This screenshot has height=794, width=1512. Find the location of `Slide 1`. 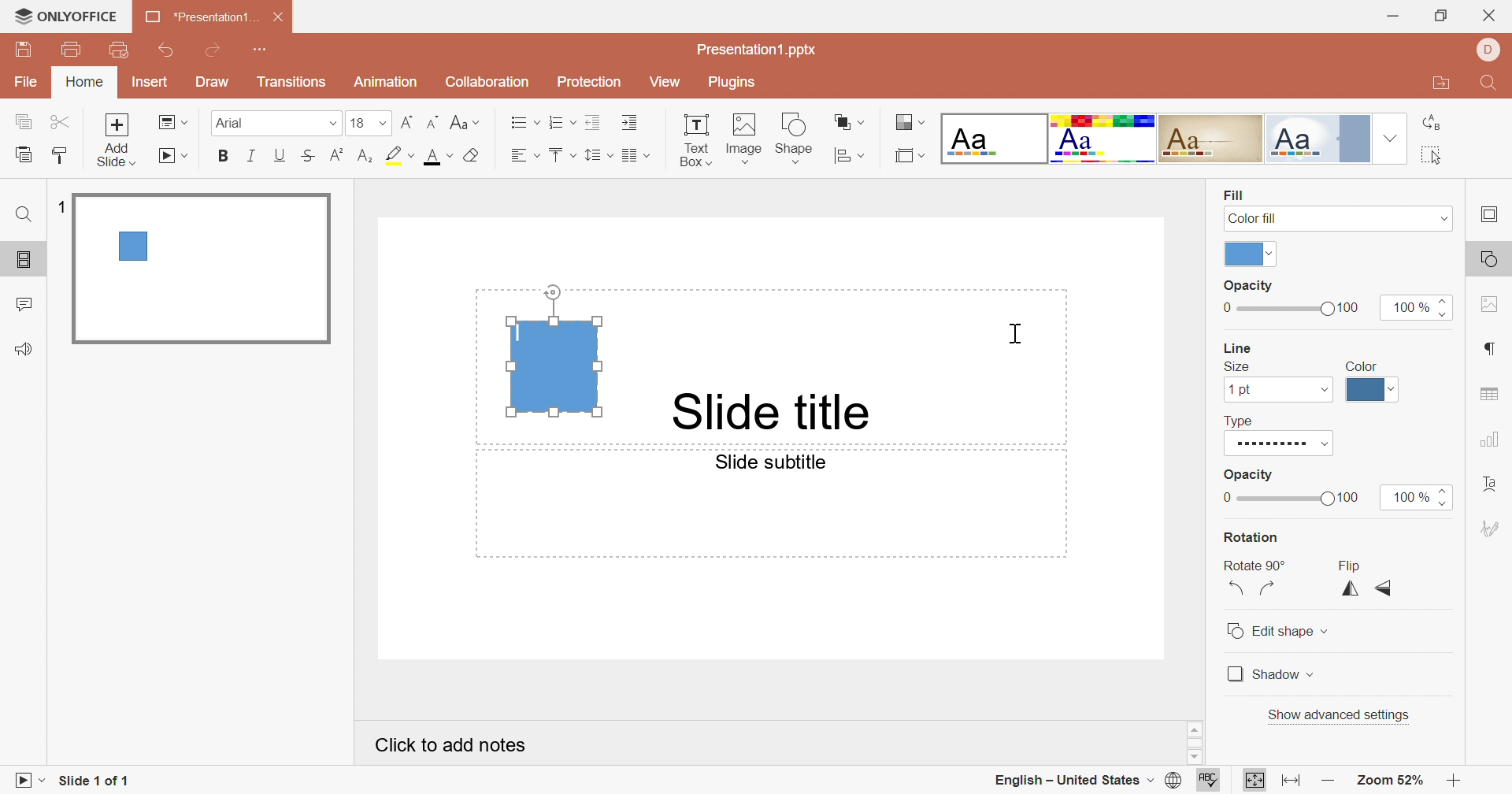

Slide 1 is located at coordinates (205, 270).